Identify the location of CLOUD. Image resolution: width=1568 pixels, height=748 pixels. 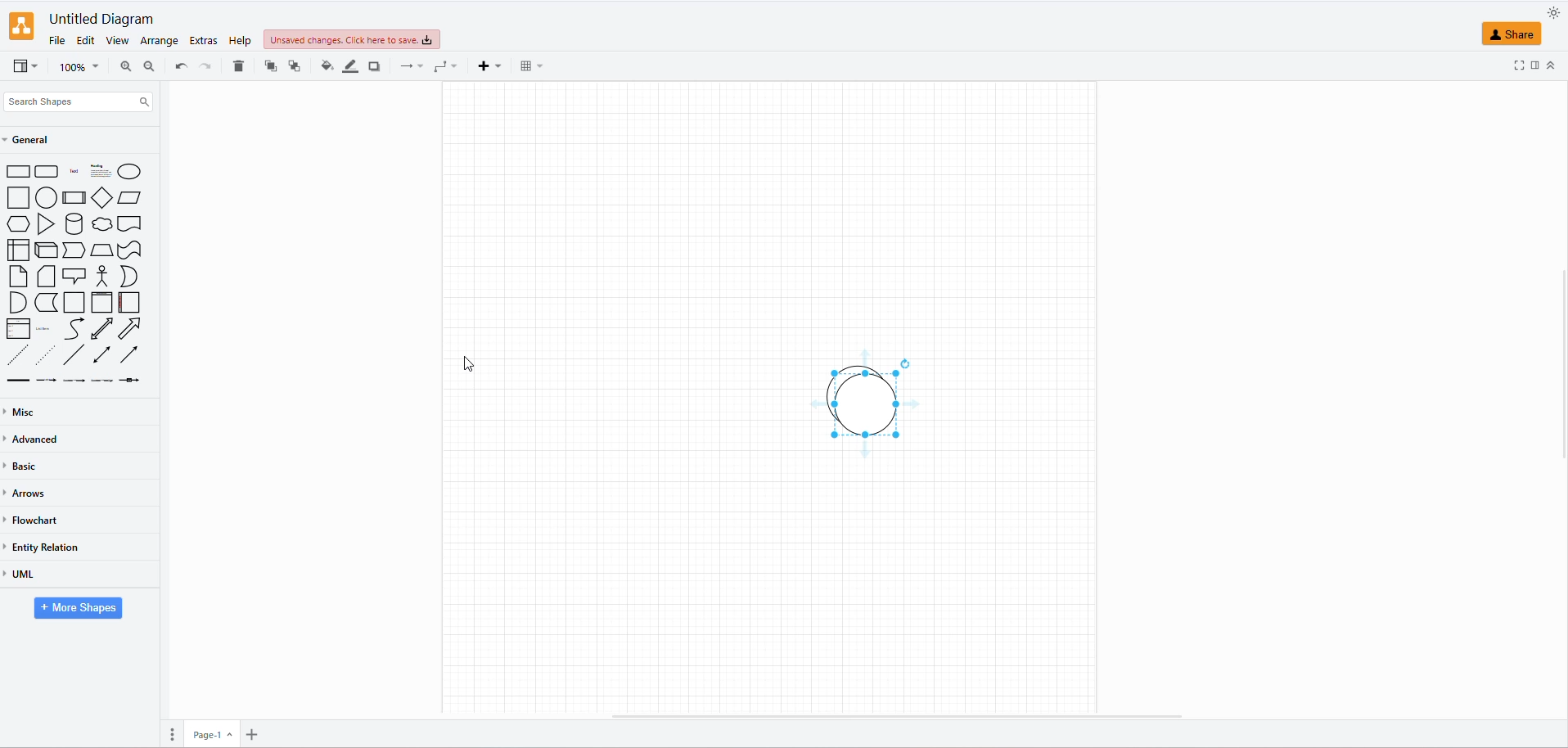
(104, 224).